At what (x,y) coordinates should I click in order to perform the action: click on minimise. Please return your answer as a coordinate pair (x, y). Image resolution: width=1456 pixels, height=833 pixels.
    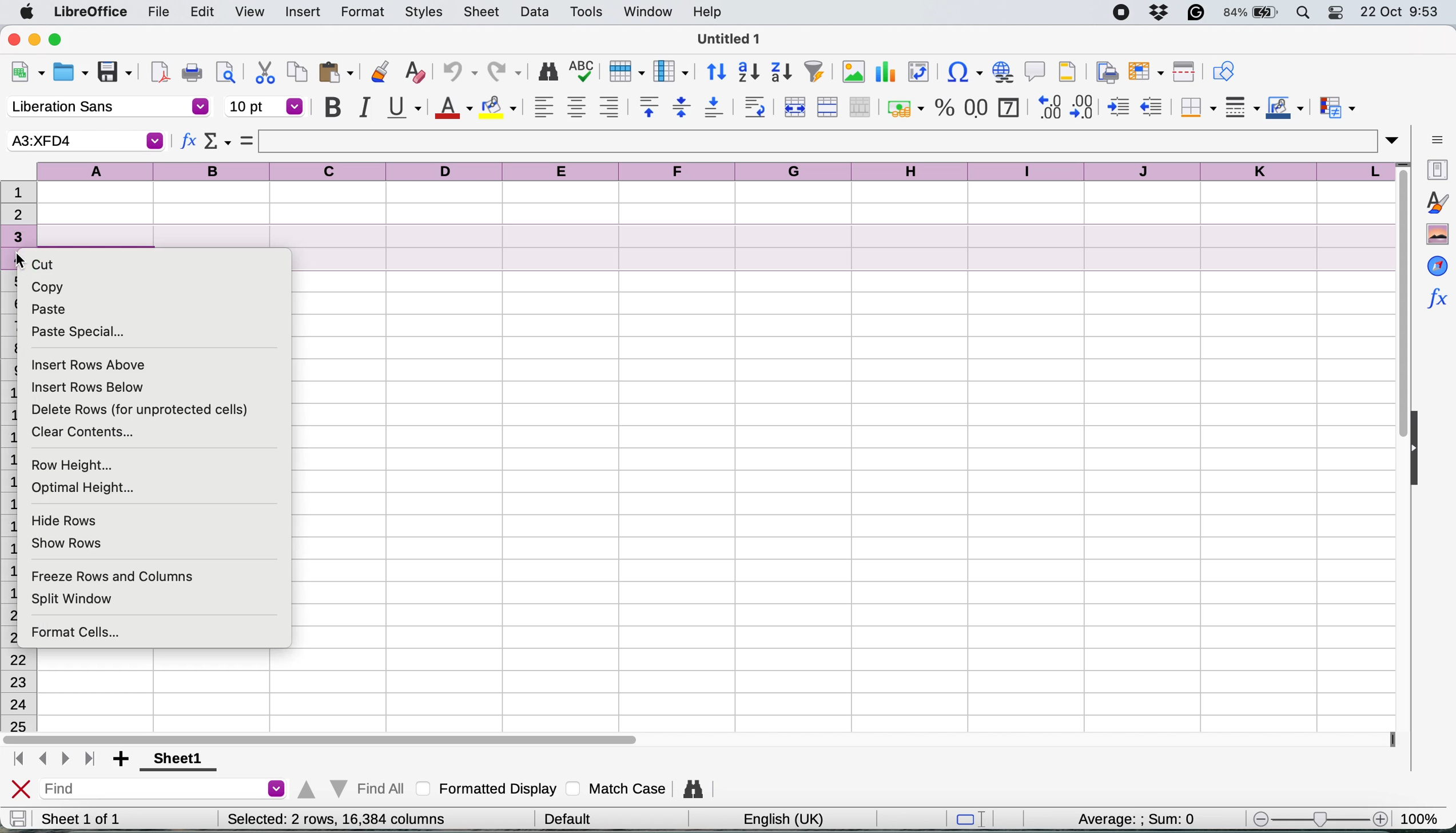
    Looking at the image, I should click on (36, 39).